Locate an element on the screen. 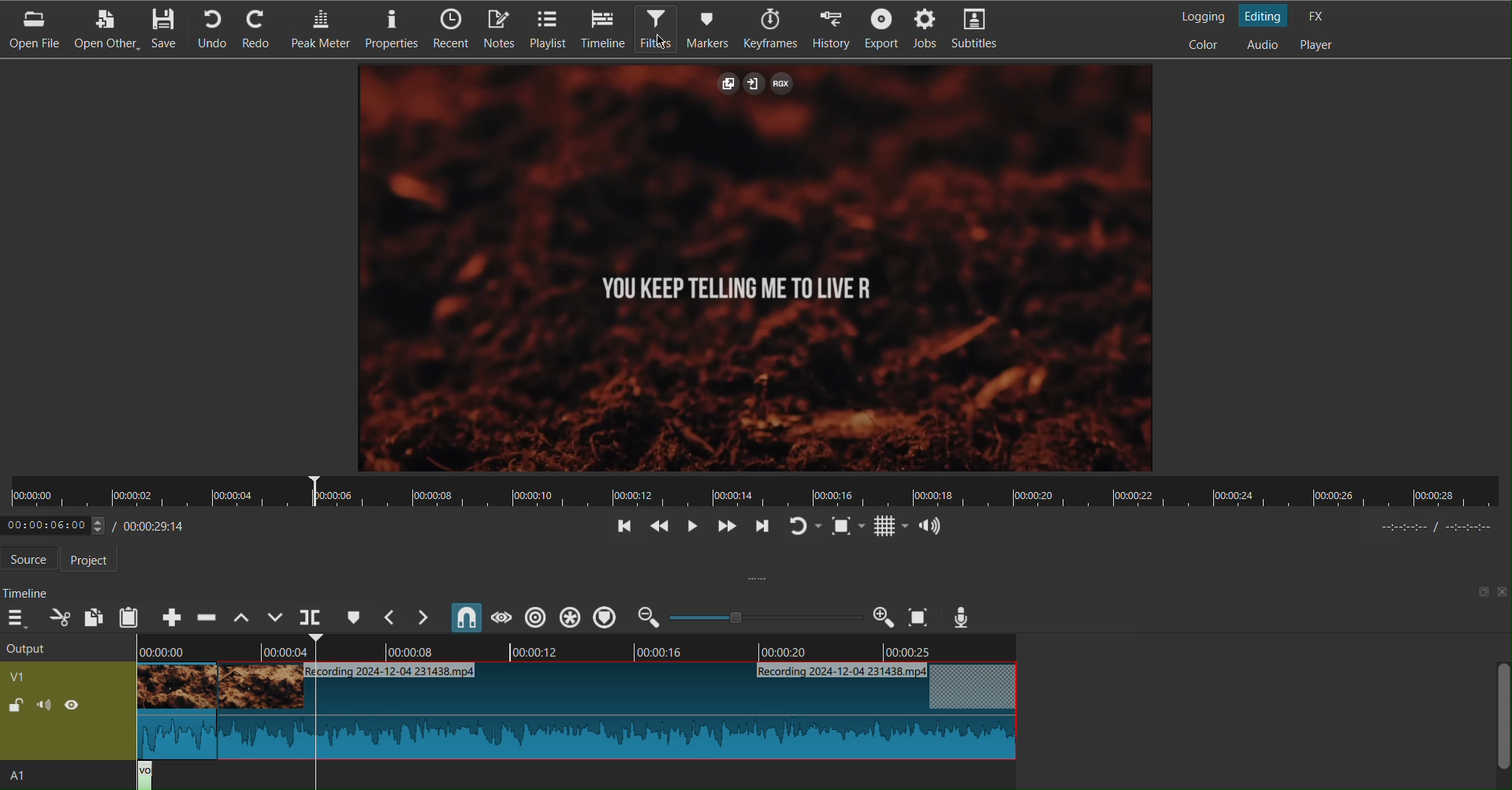  Previous Marker is located at coordinates (391, 617).